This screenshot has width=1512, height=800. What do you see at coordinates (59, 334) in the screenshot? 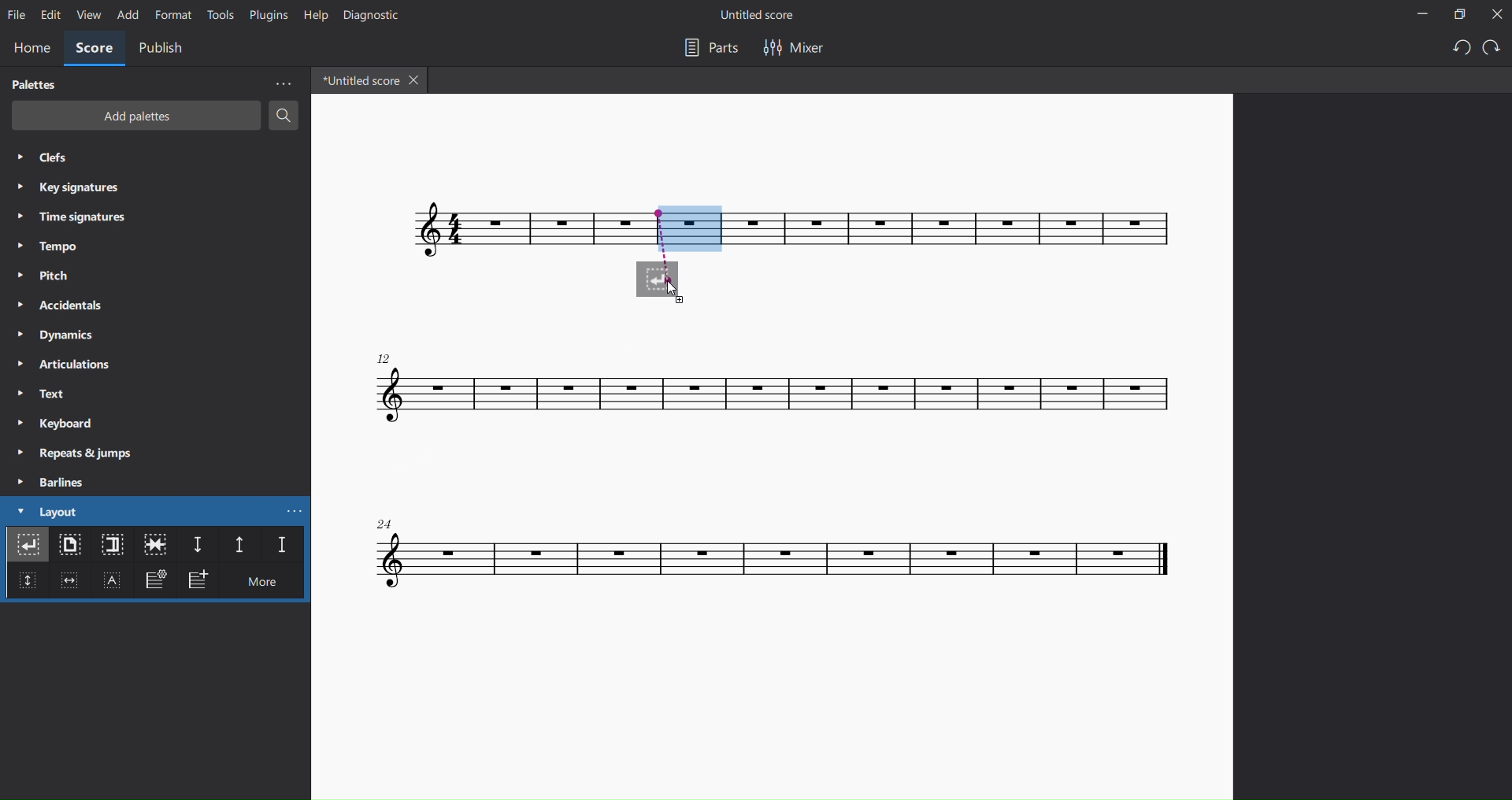
I see `dynamics` at bounding box center [59, 334].